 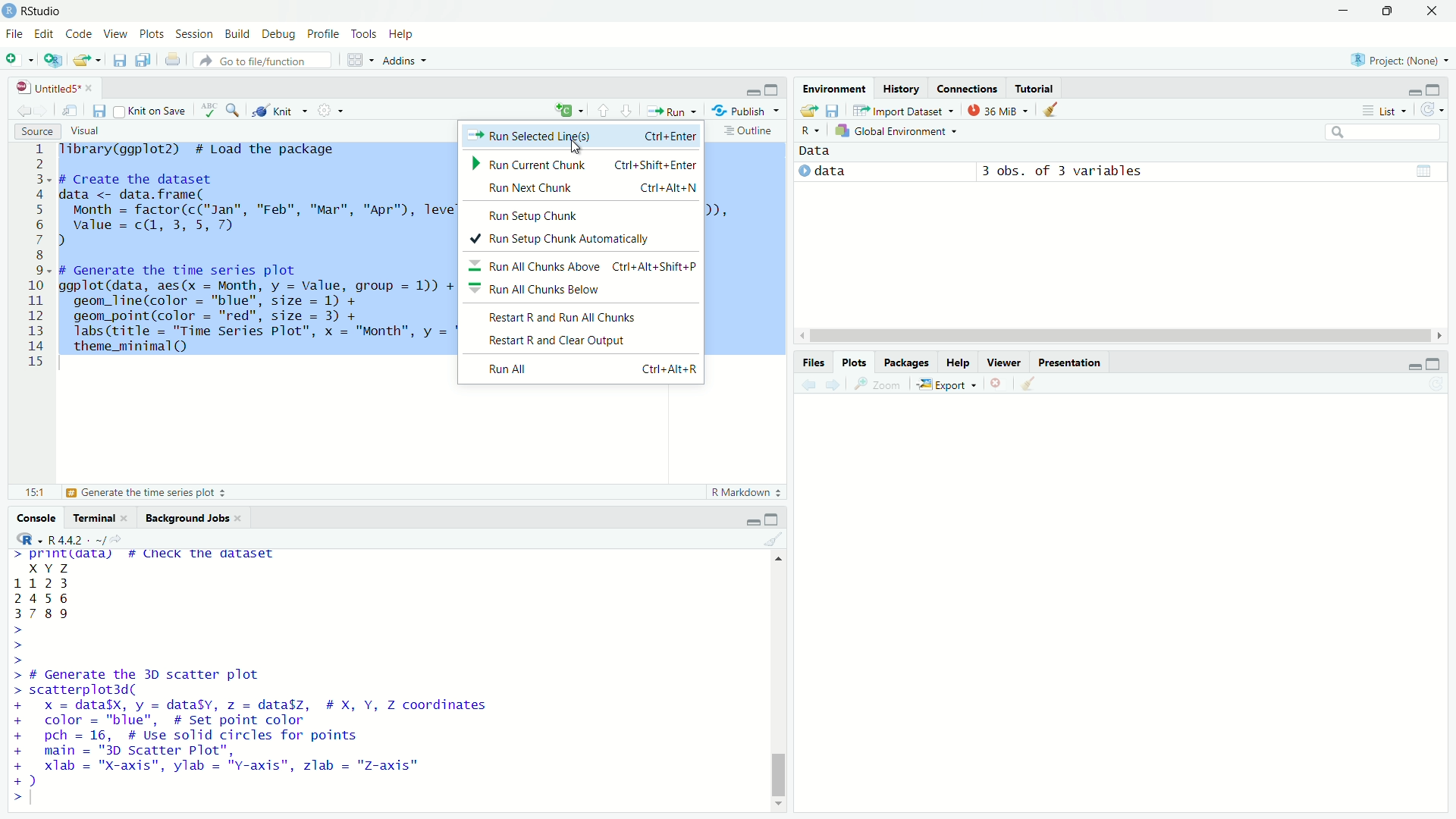 What do you see at coordinates (60, 591) in the screenshot?
I see `data` at bounding box center [60, 591].